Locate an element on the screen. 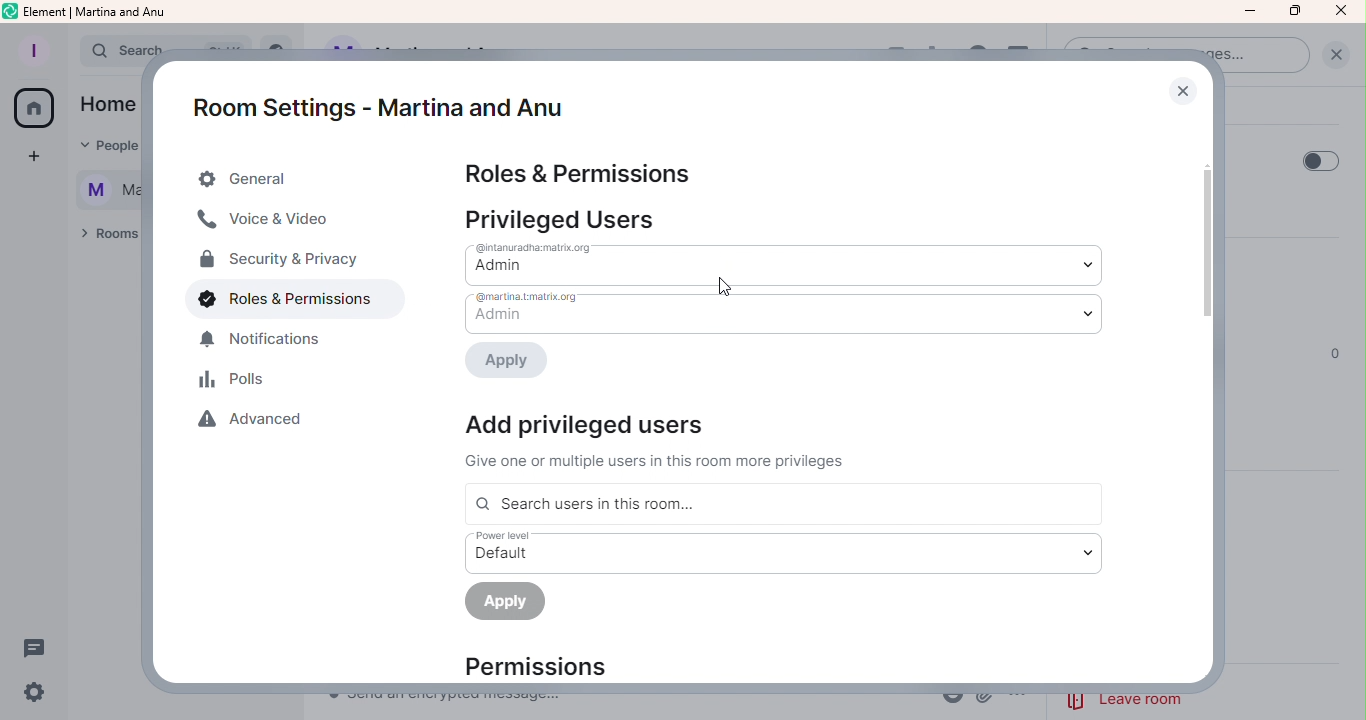 This screenshot has height=720, width=1366. Polls is located at coordinates (237, 382).